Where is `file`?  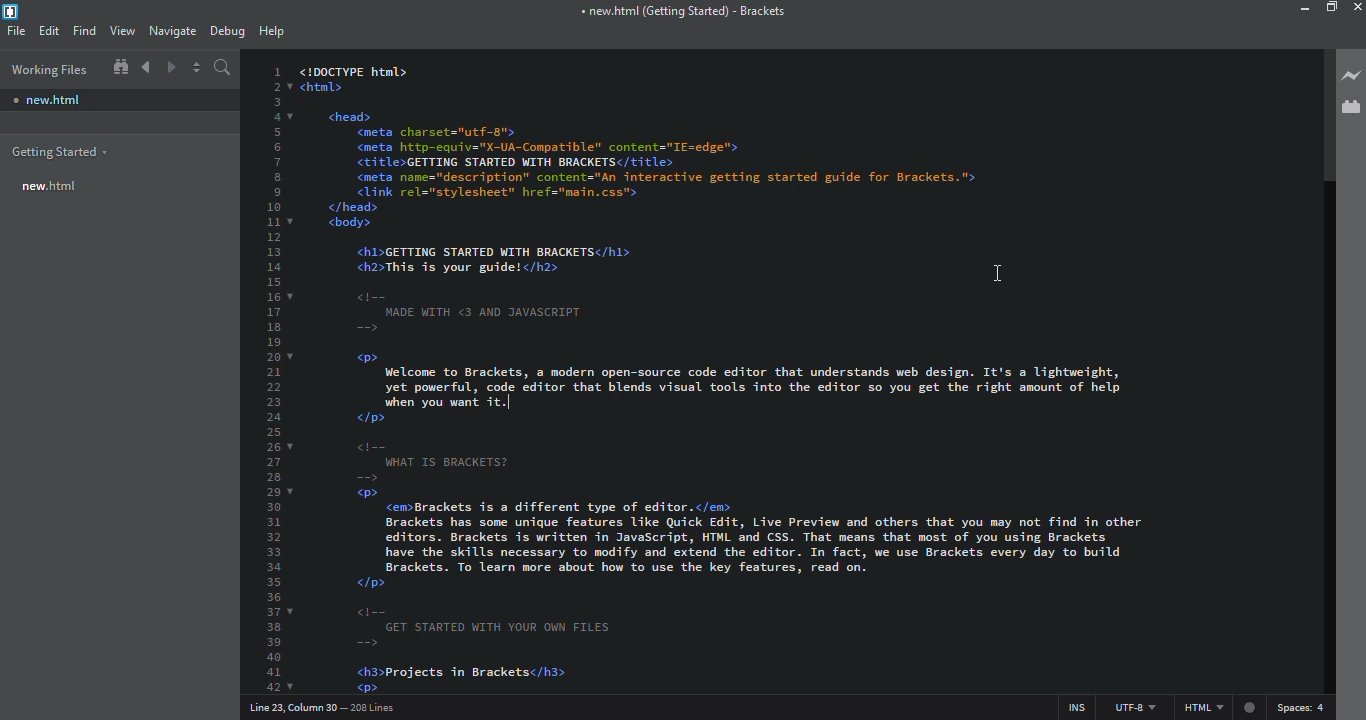
file is located at coordinates (17, 29).